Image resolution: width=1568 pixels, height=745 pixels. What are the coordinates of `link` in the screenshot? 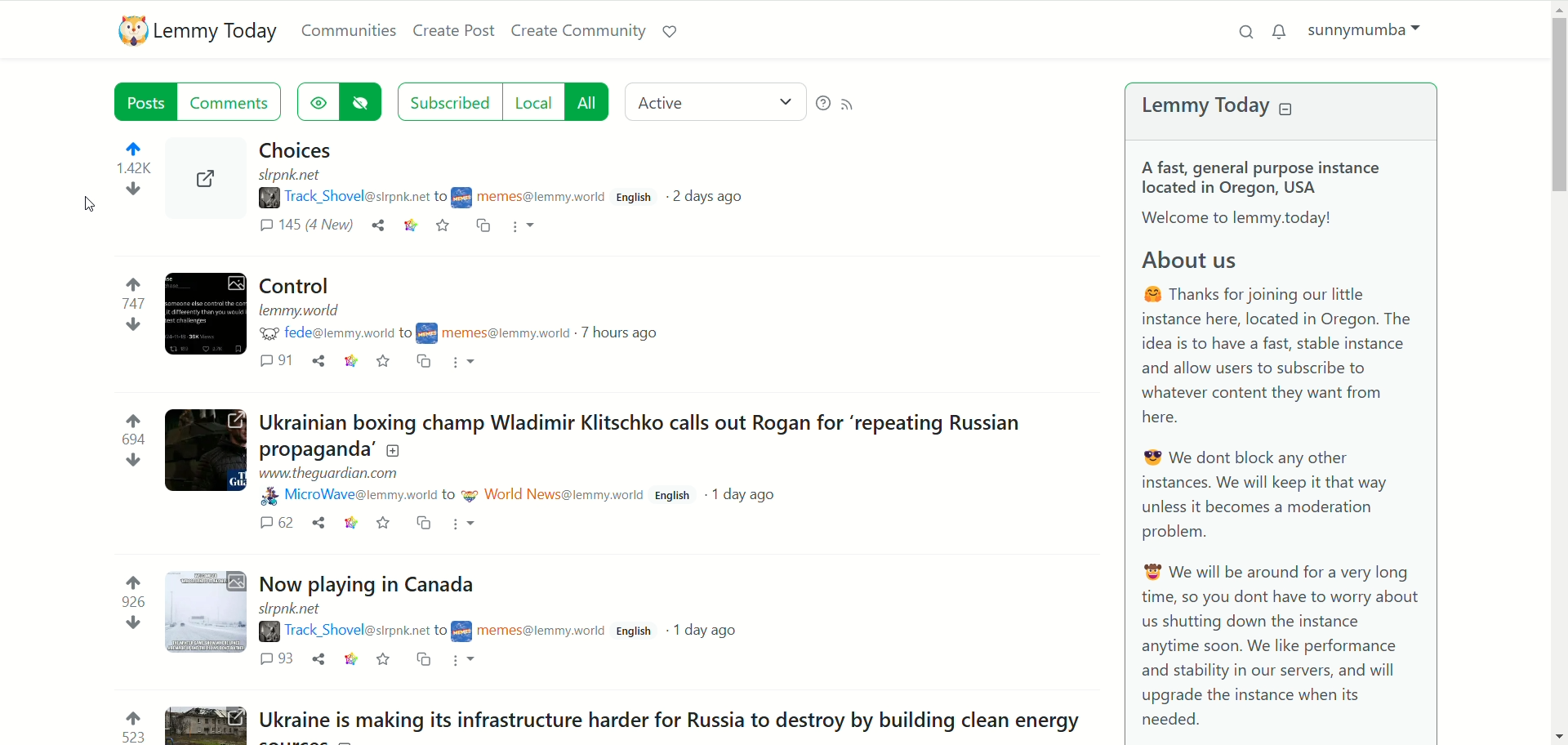 It's located at (353, 660).